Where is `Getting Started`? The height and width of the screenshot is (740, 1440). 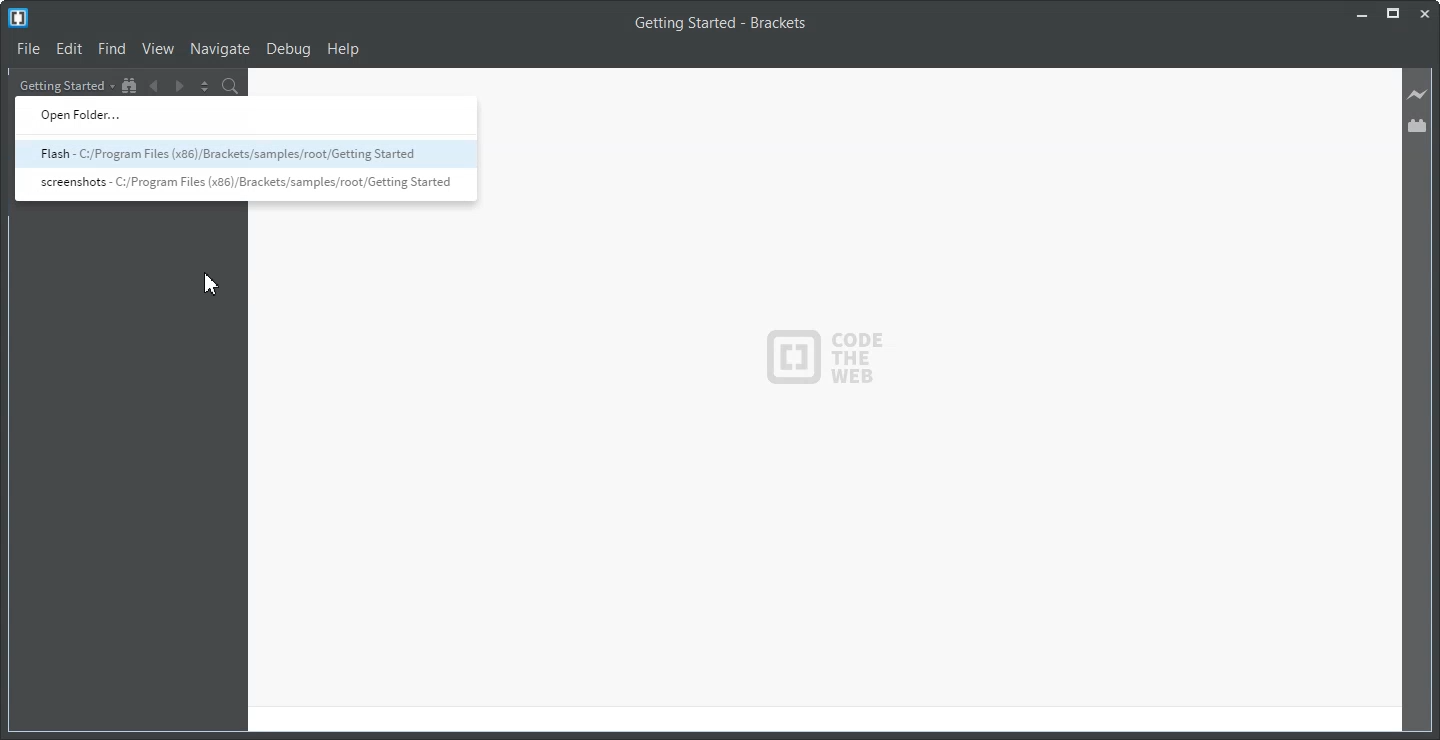
Getting Started is located at coordinates (65, 85).